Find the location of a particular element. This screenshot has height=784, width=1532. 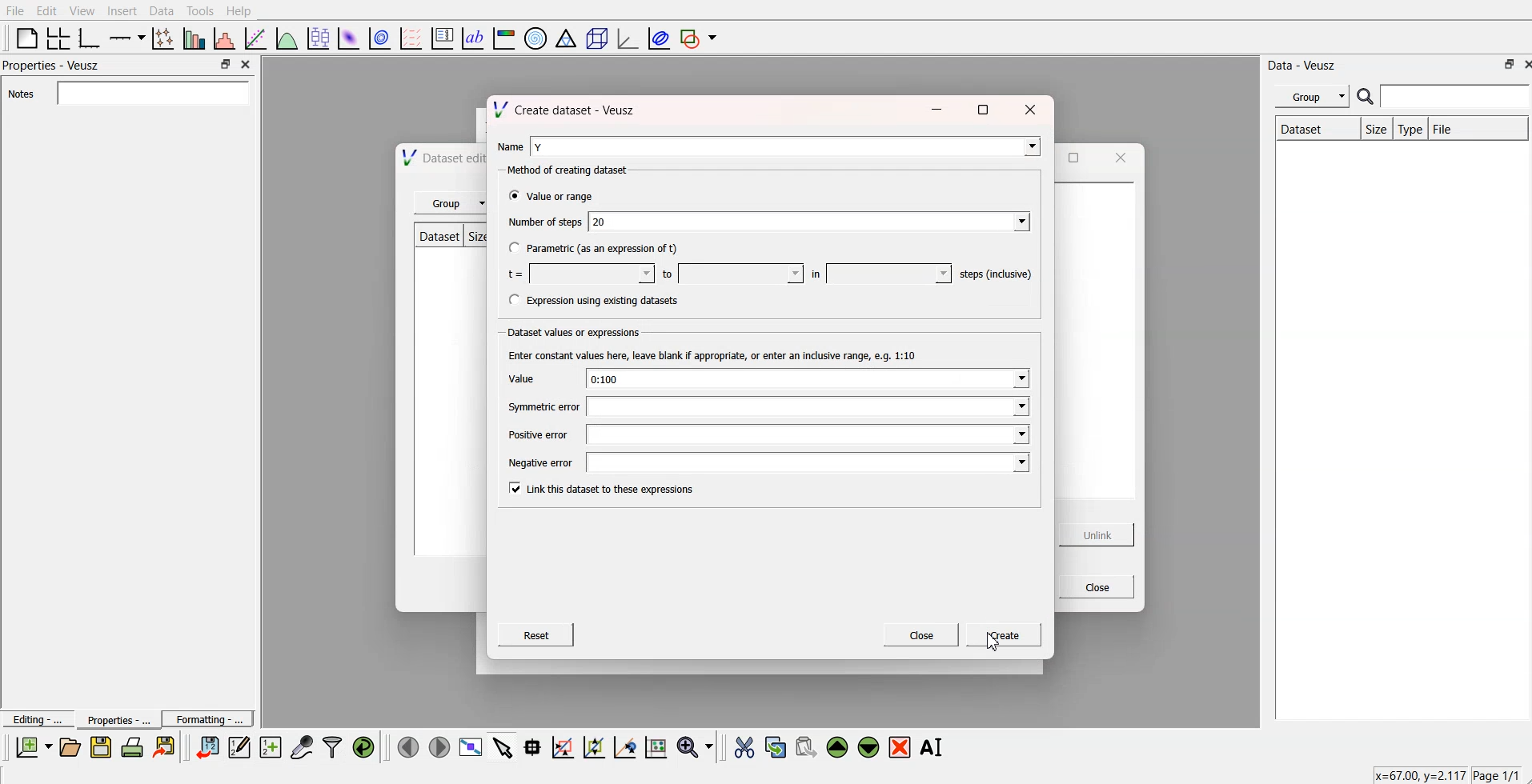

Editing is located at coordinates (36, 718).